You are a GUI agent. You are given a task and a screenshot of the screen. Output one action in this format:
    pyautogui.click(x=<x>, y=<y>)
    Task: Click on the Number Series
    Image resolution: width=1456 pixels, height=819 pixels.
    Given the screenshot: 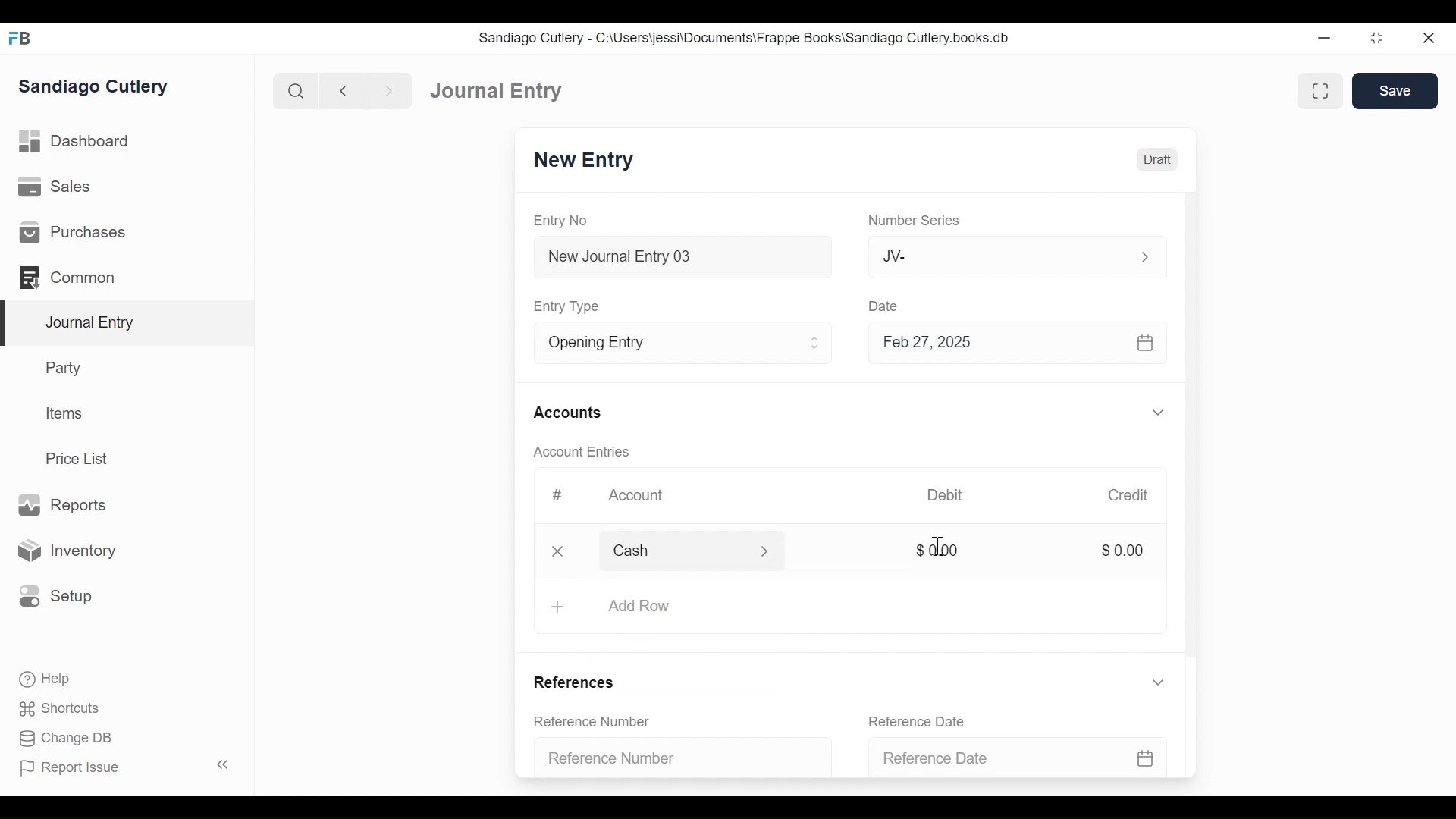 What is the action you would take?
    pyautogui.click(x=912, y=221)
    